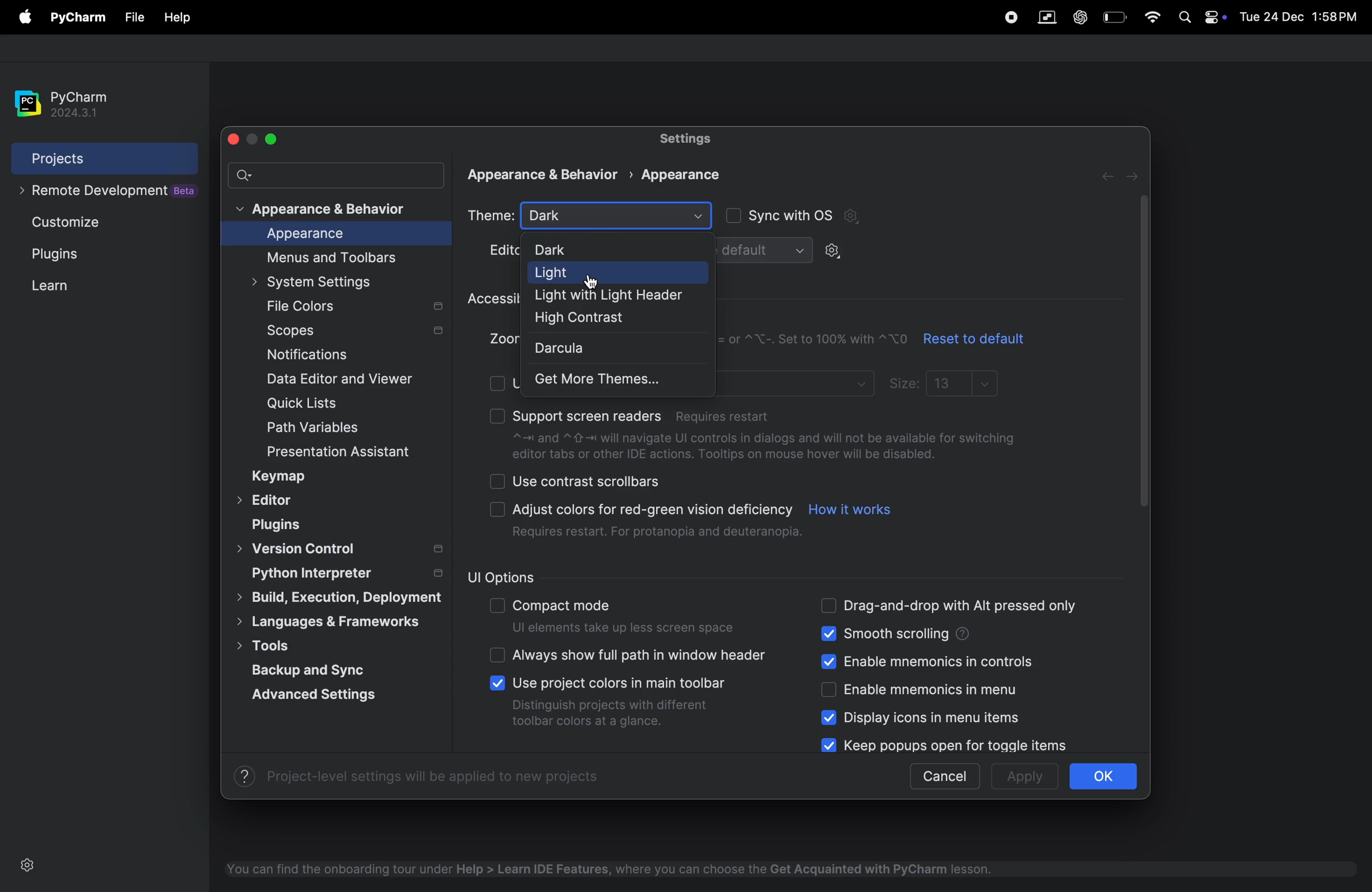 This screenshot has height=892, width=1372. Describe the element at coordinates (337, 176) in the screenshot. I see `search` at that location.